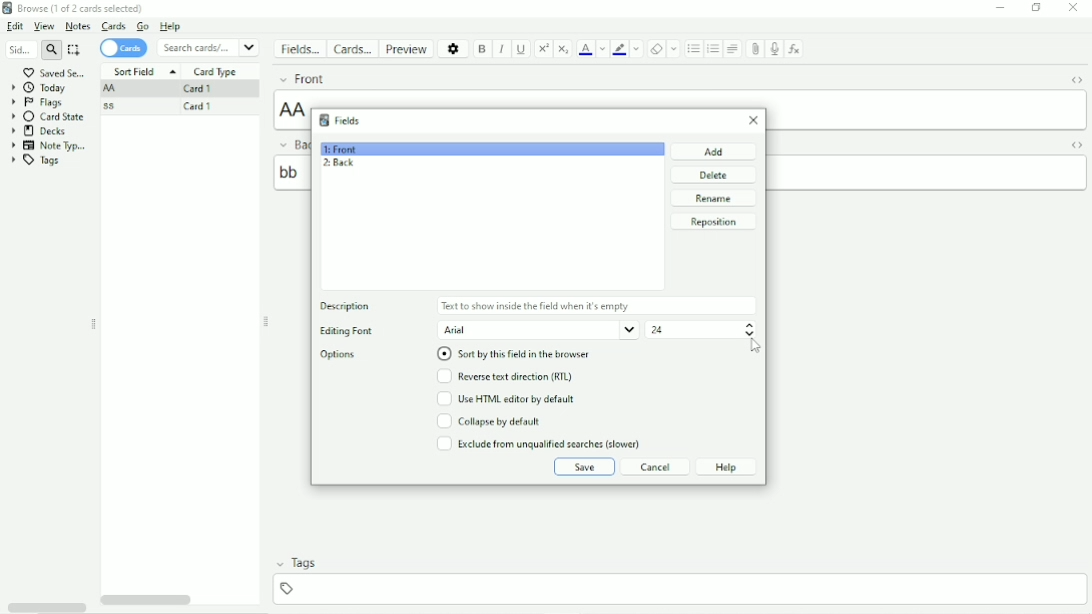  Describe the element at coordinates (46, 607) in the screenshot. I see `Horizontal scrollbar` at that location.